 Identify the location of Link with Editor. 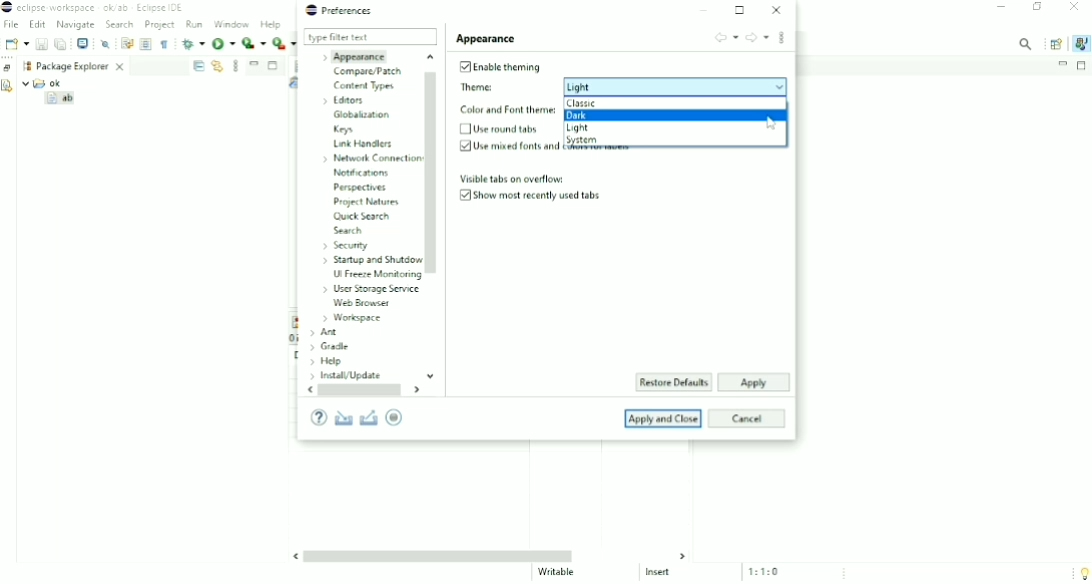
(217, 66).